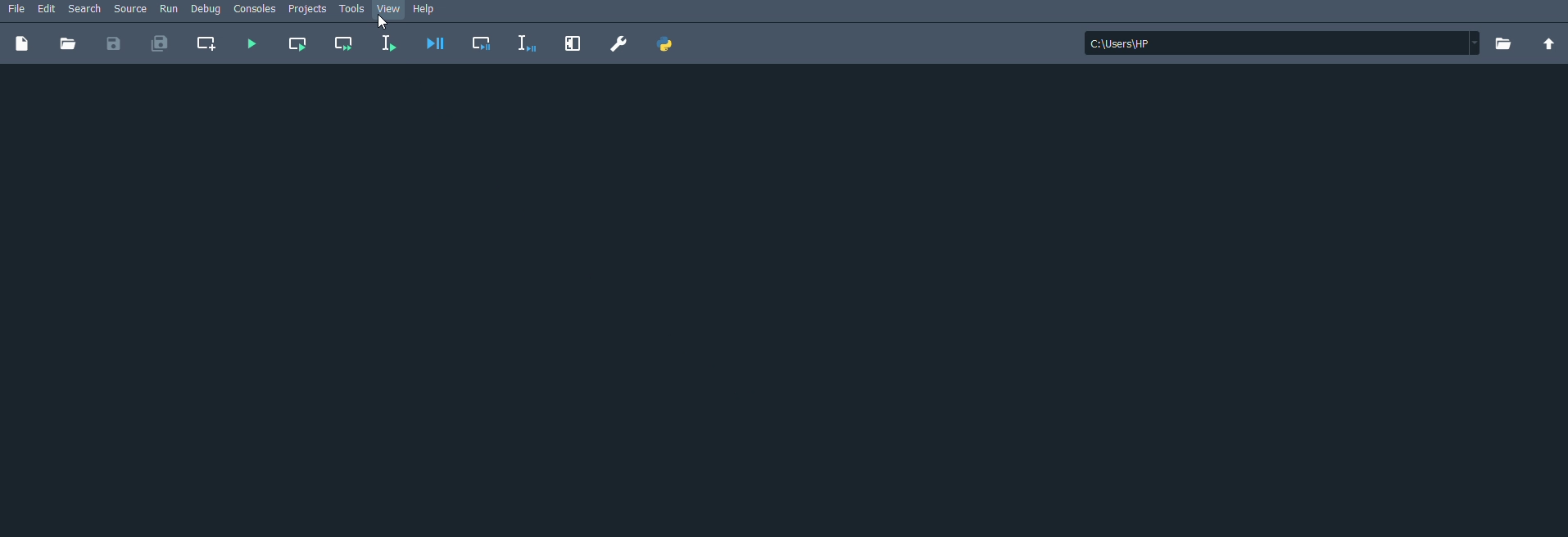 The image size is (1568, 537). Describe the element at coordinates (256, 11) in the screenshot. I see `Consoles` at that location.